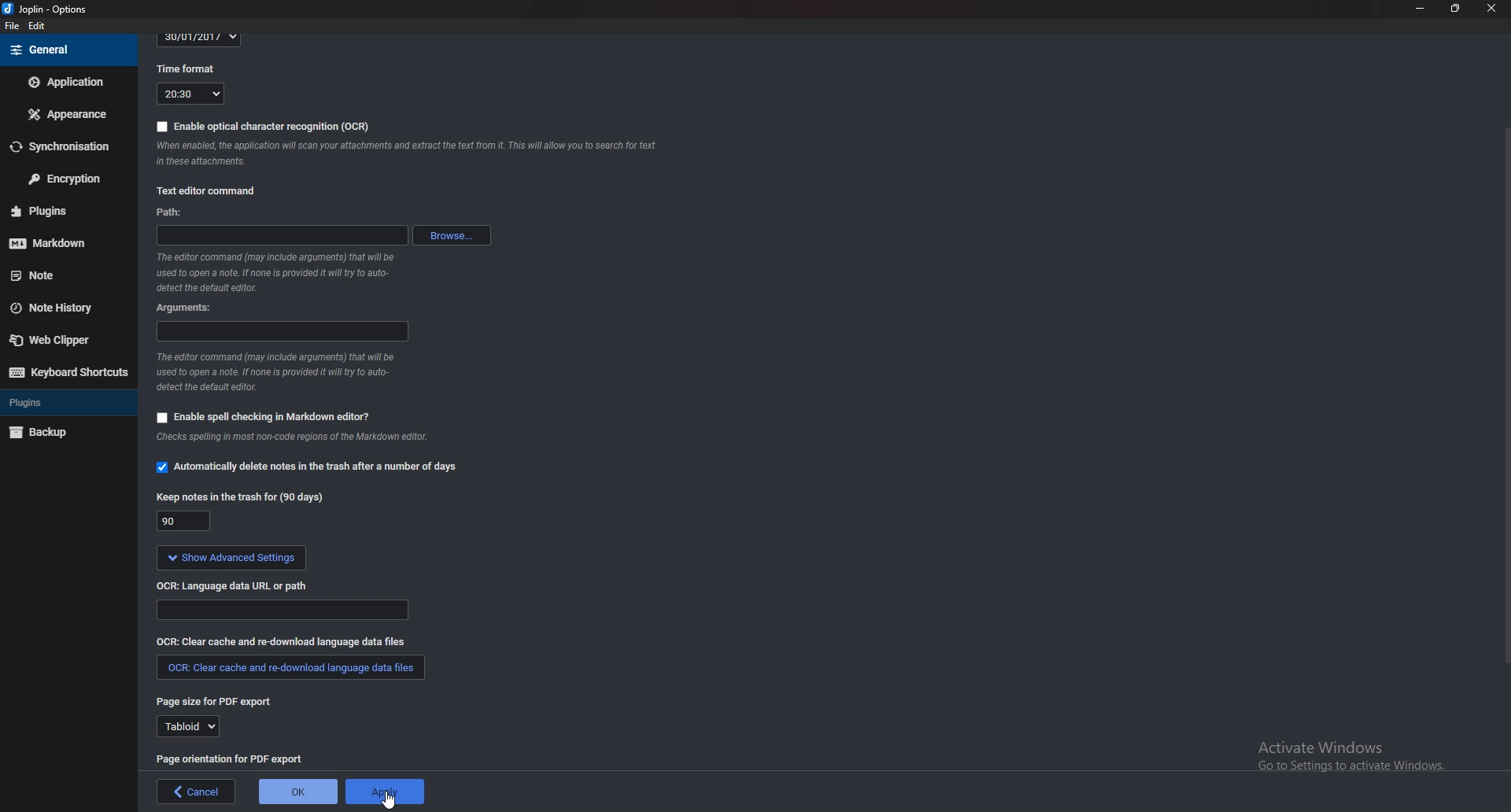 This screenshot has width=1511, height=812. I want to click on note, so click(59, 276).